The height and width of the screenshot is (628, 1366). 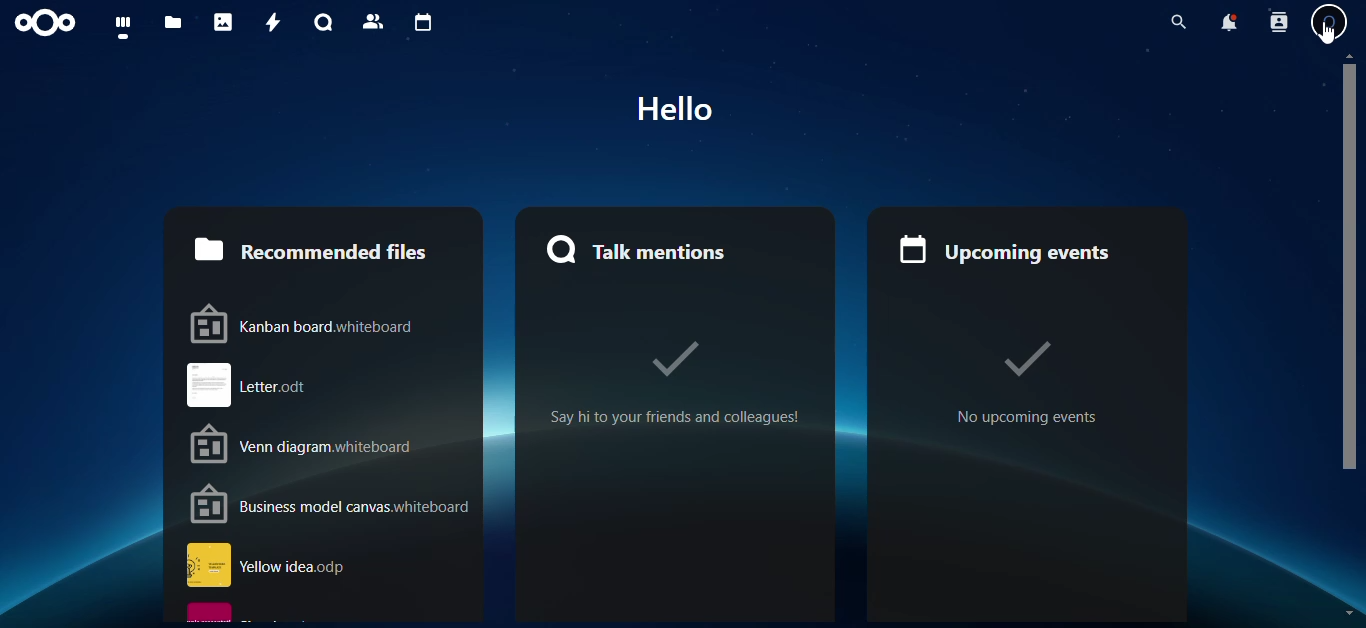 What do you see at coordinates (1028, 417) in the screenshot?
I see `no upcoming events` at bounding box center [1028, 417].